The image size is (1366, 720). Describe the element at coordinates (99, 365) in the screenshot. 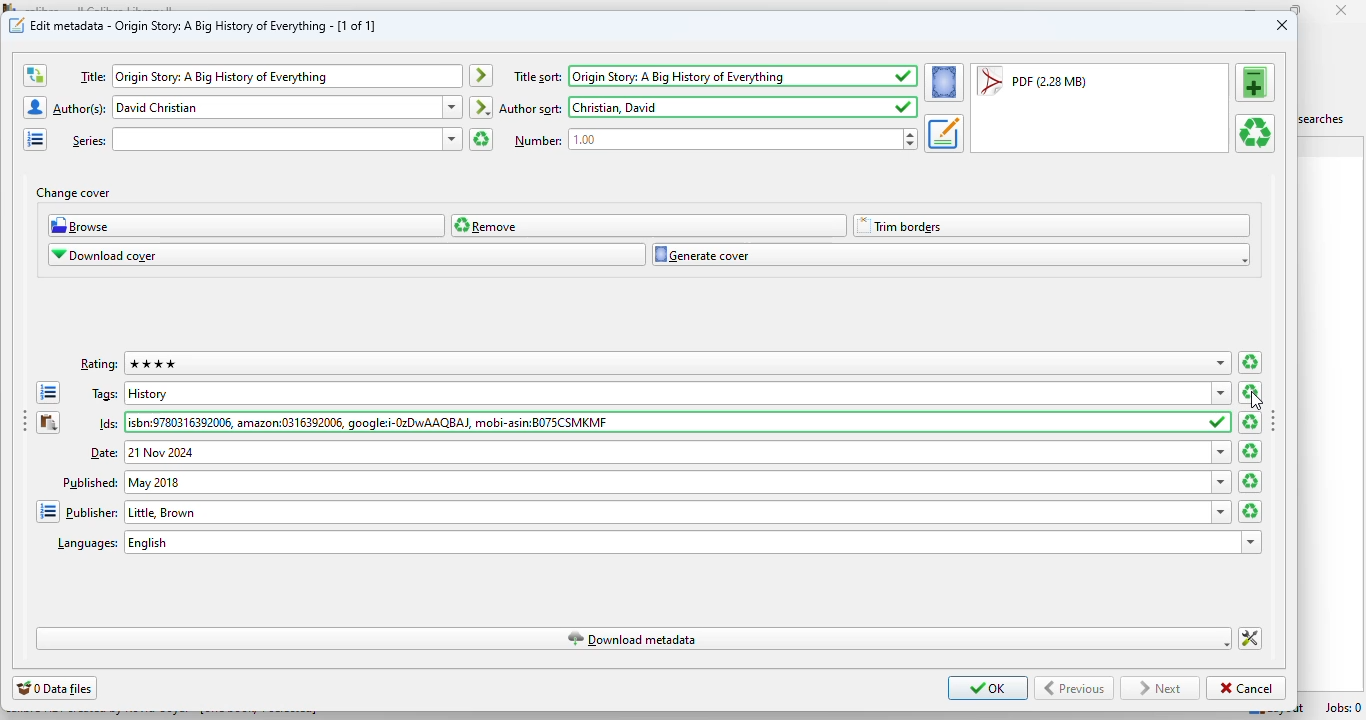

I see `text` at that location.